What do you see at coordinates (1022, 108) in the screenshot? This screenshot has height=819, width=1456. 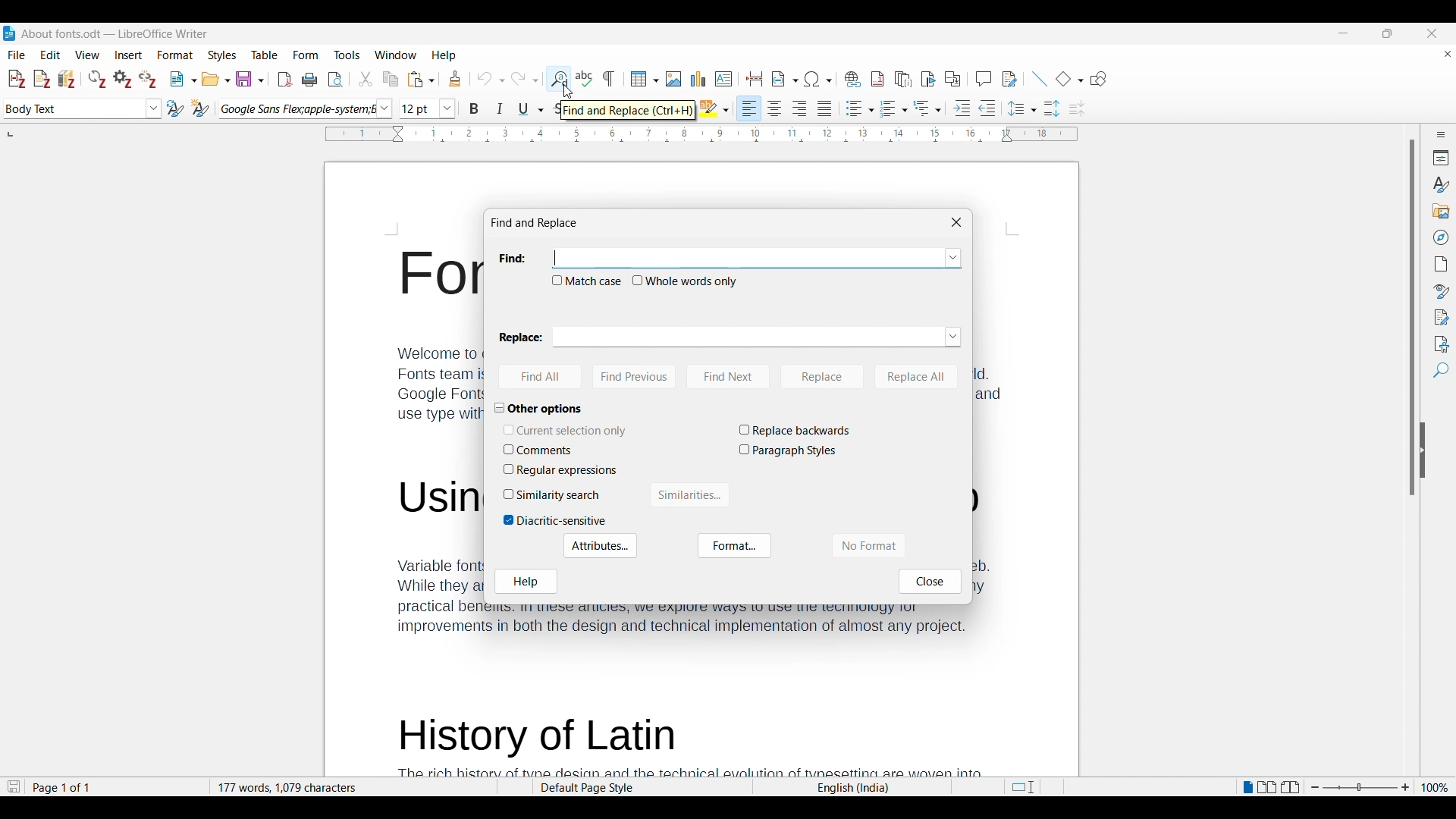 I see `Set line spacing` at bounding box center [1022, 108].